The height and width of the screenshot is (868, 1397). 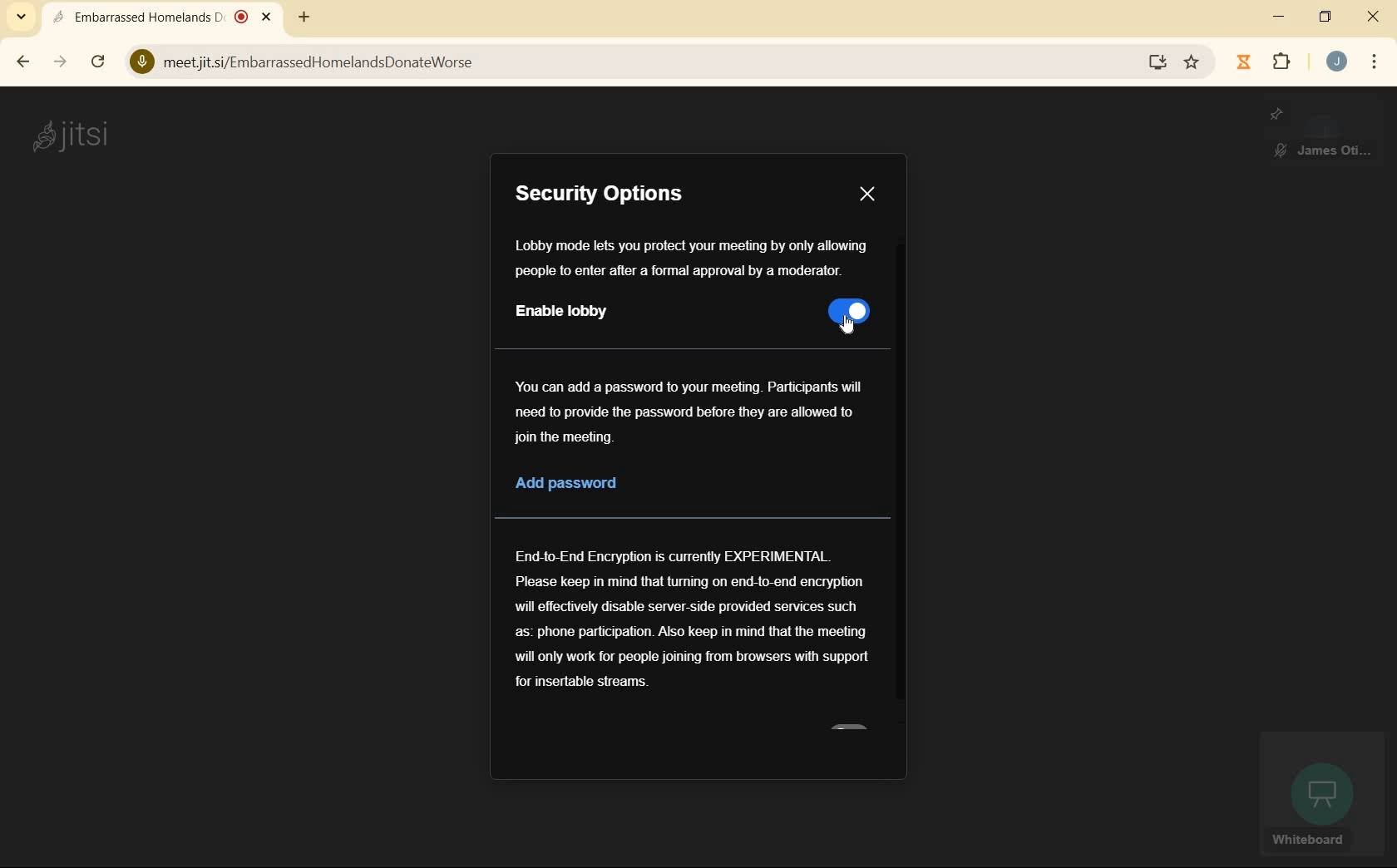 I want to click on pinned screen, so click(x=1323, y=133).